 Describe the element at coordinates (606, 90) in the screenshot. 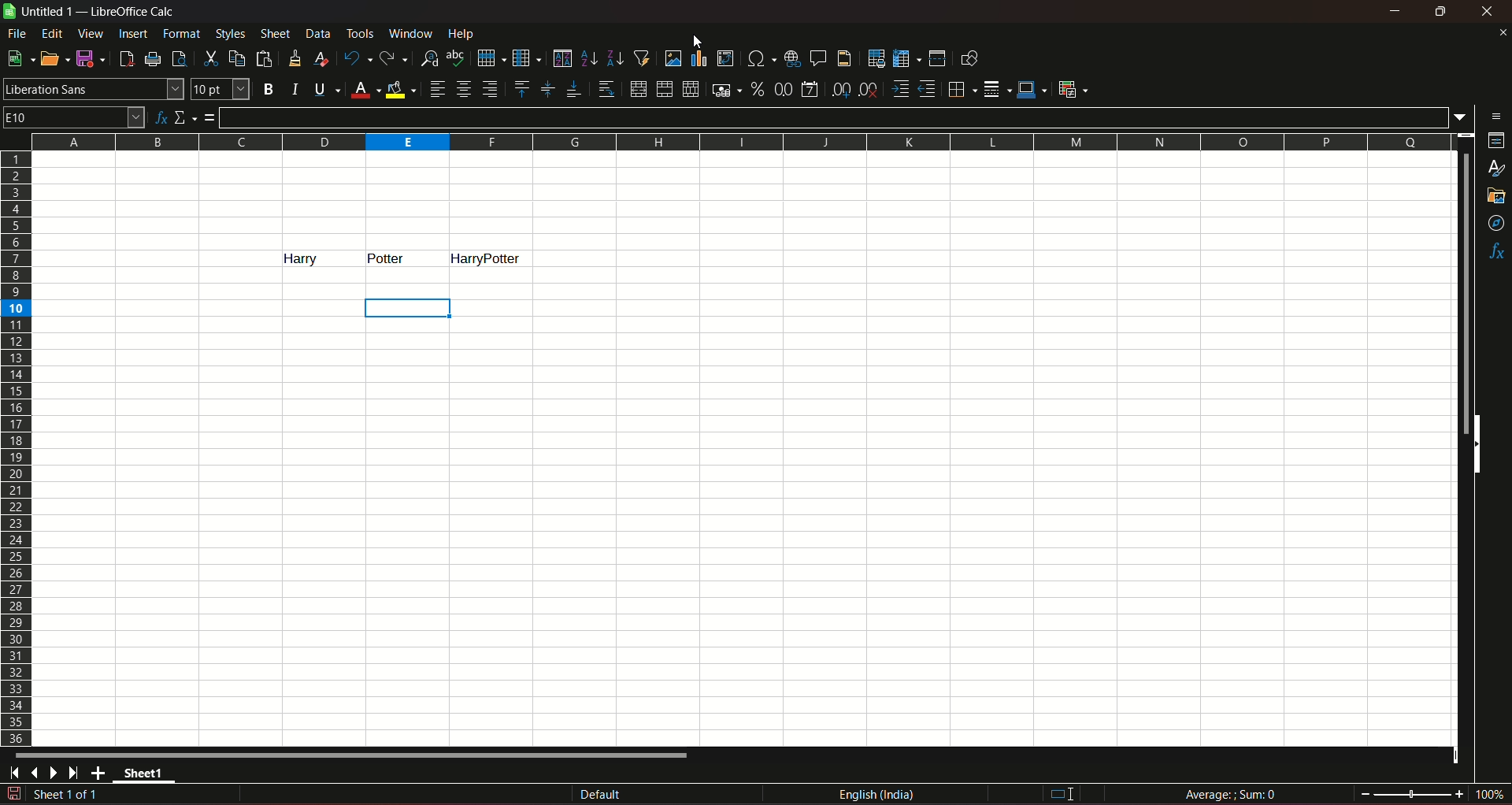

I see `wrap text` at that location.